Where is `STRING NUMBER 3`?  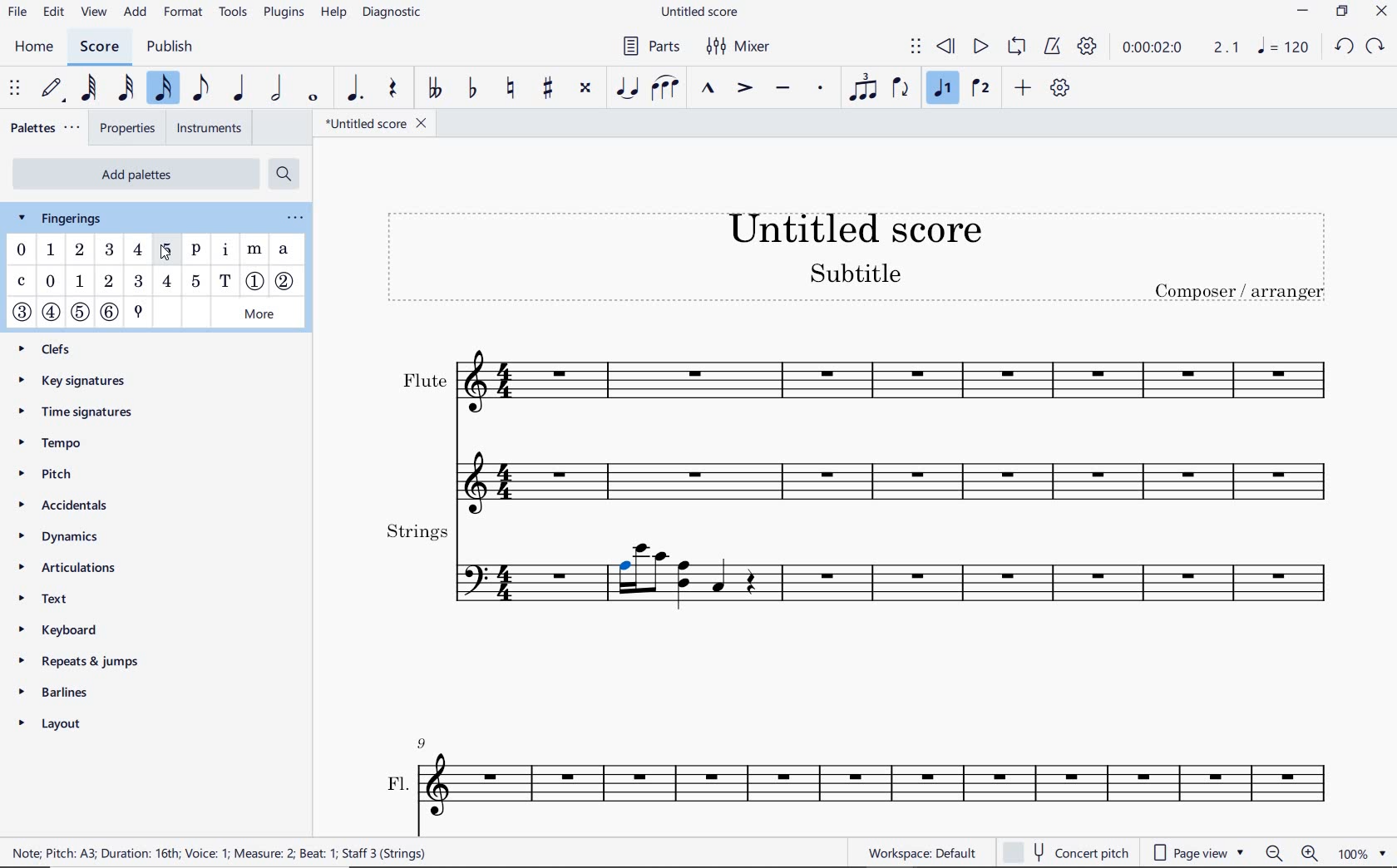 STRING NUMBER 3 is located at coordinates (23, 313).